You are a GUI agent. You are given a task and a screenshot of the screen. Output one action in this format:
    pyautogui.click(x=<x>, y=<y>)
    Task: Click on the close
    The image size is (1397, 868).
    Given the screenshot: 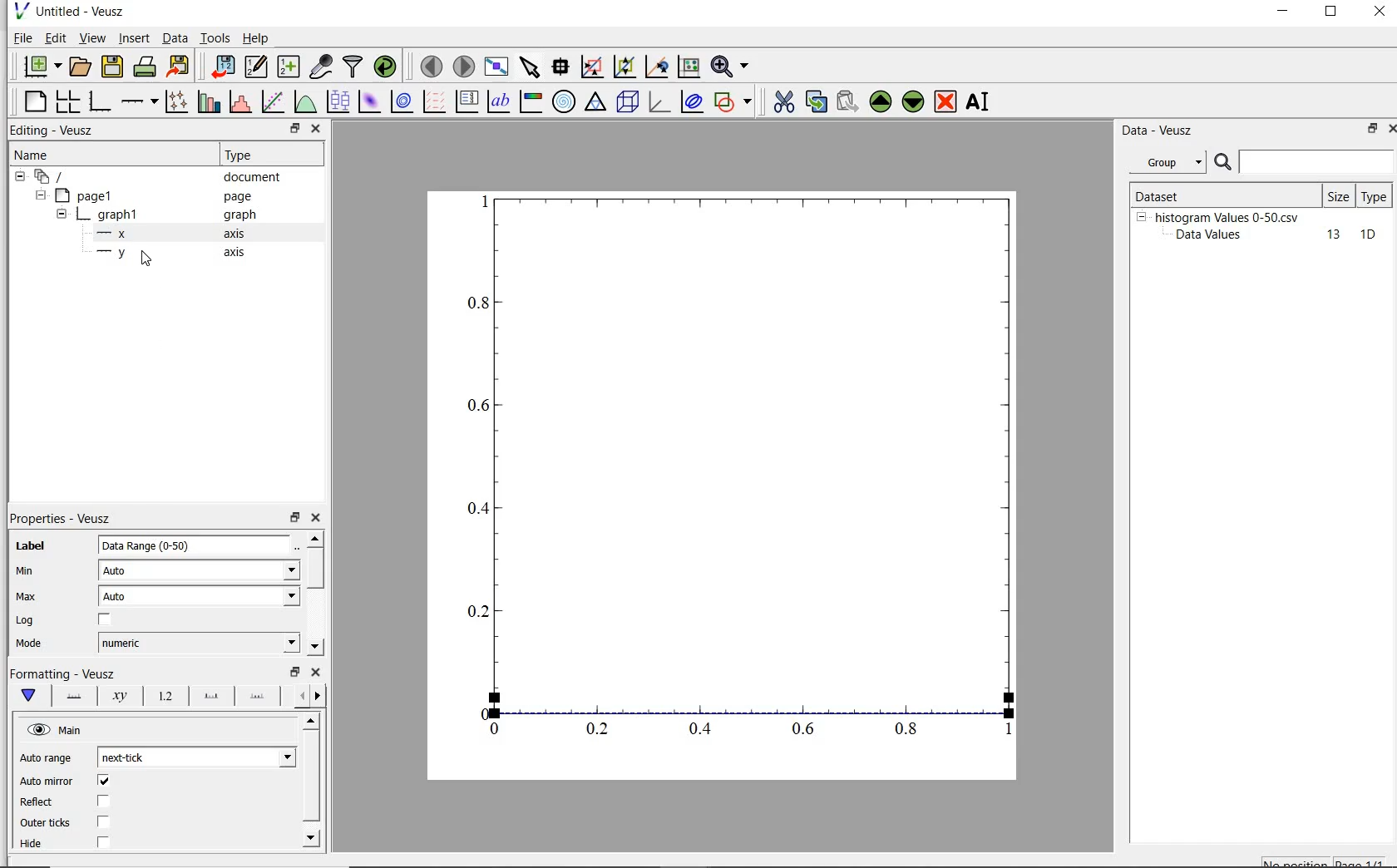 What is the action you would take?
    pyautogui.click(x=317, y=129)
    